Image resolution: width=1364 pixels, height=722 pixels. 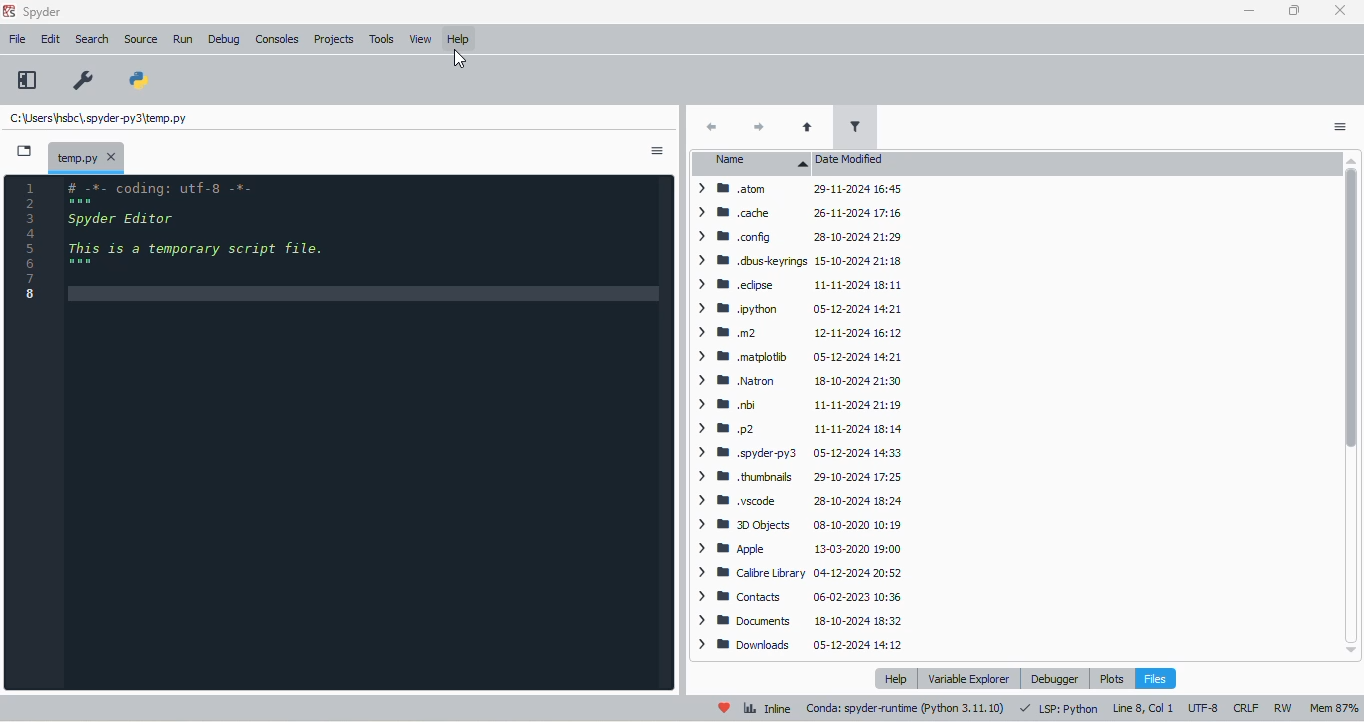 What do you see at coordinates (797, 381) in the screenshot?
I see `> B Natron 18-10-2024 21:30` at bounding box center [797, 381].